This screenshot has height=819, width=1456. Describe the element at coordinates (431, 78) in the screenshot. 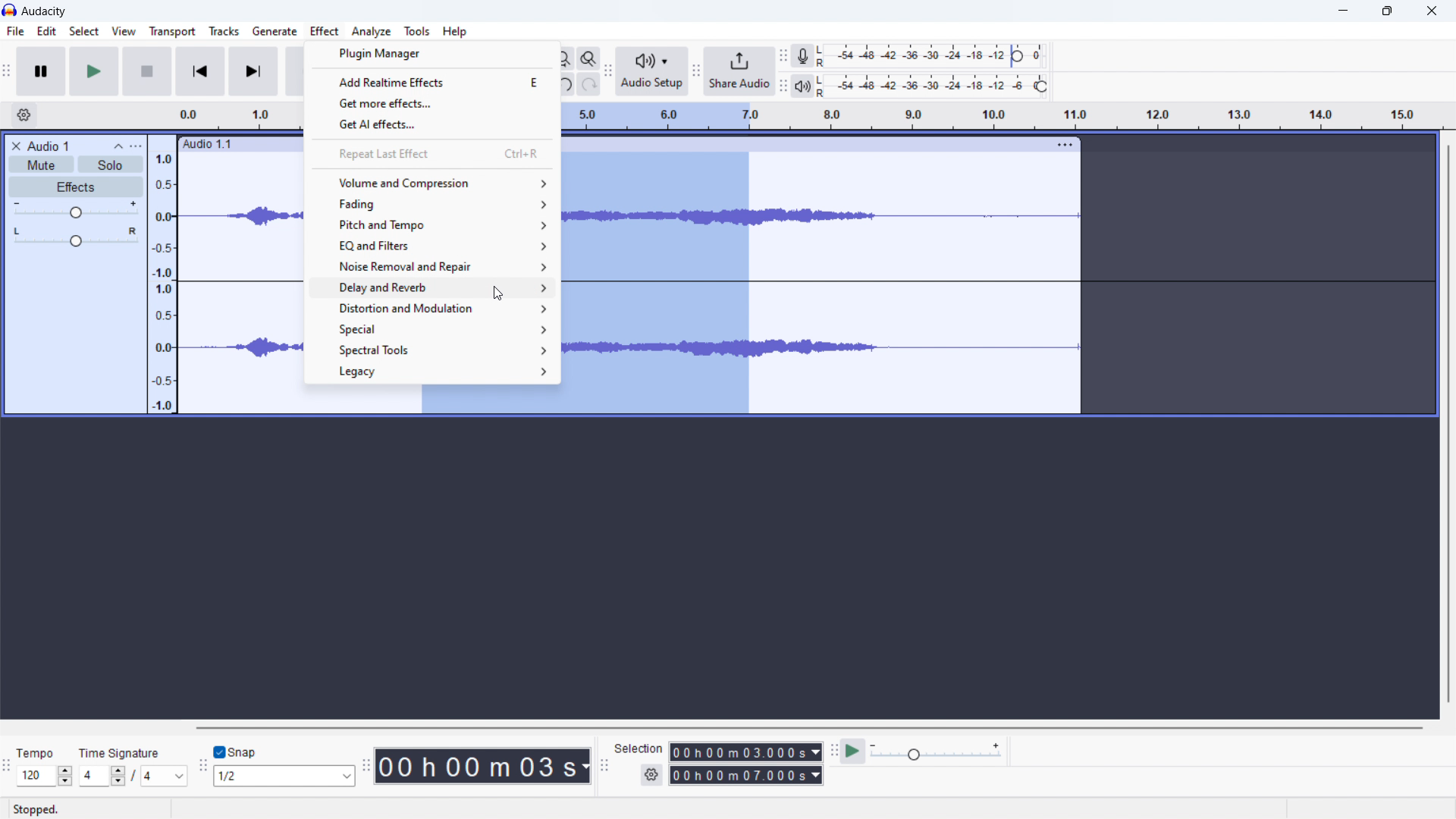

I see `add realtime effects` at that location.